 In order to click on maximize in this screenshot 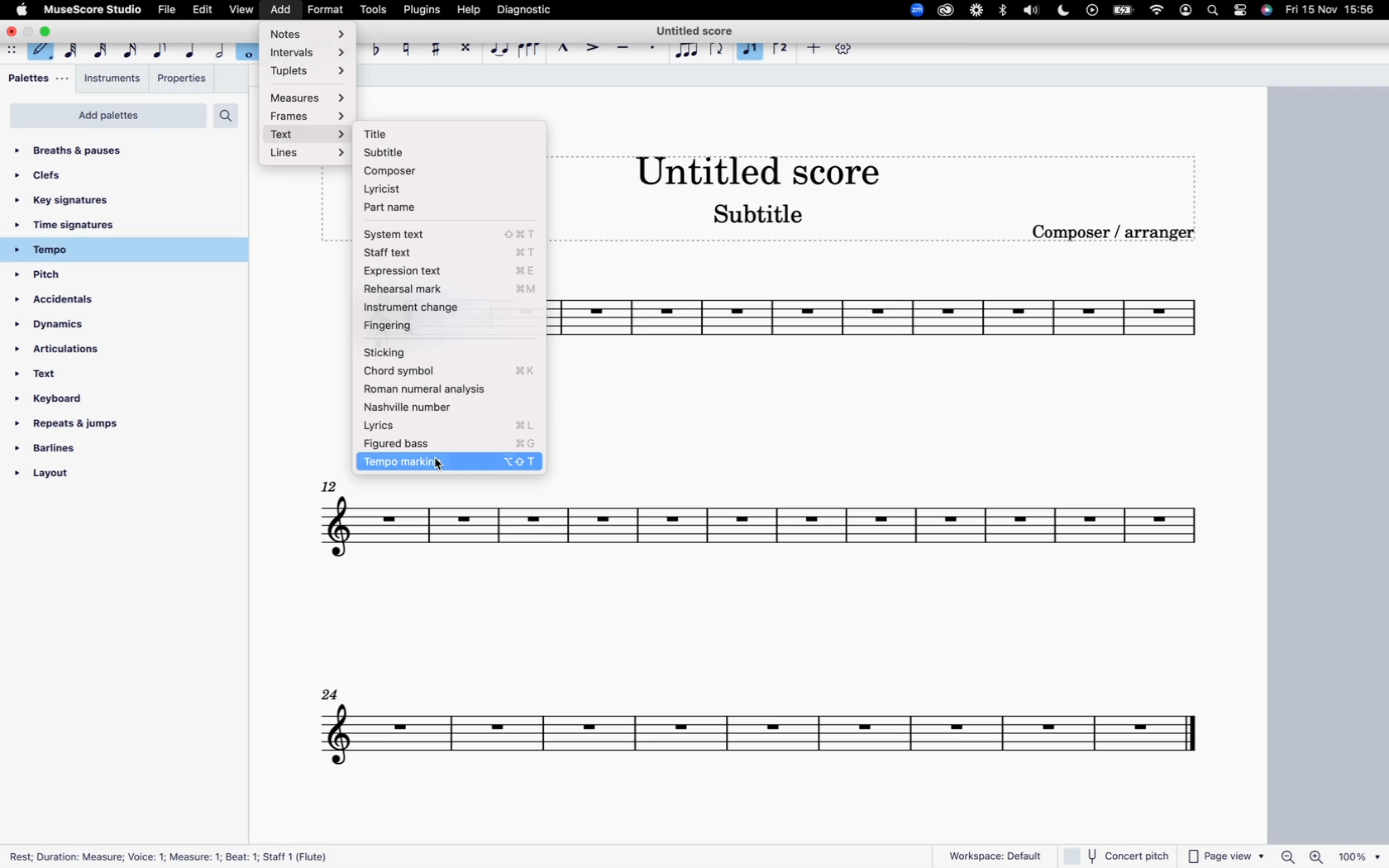, I will do `click(49, 31)`.